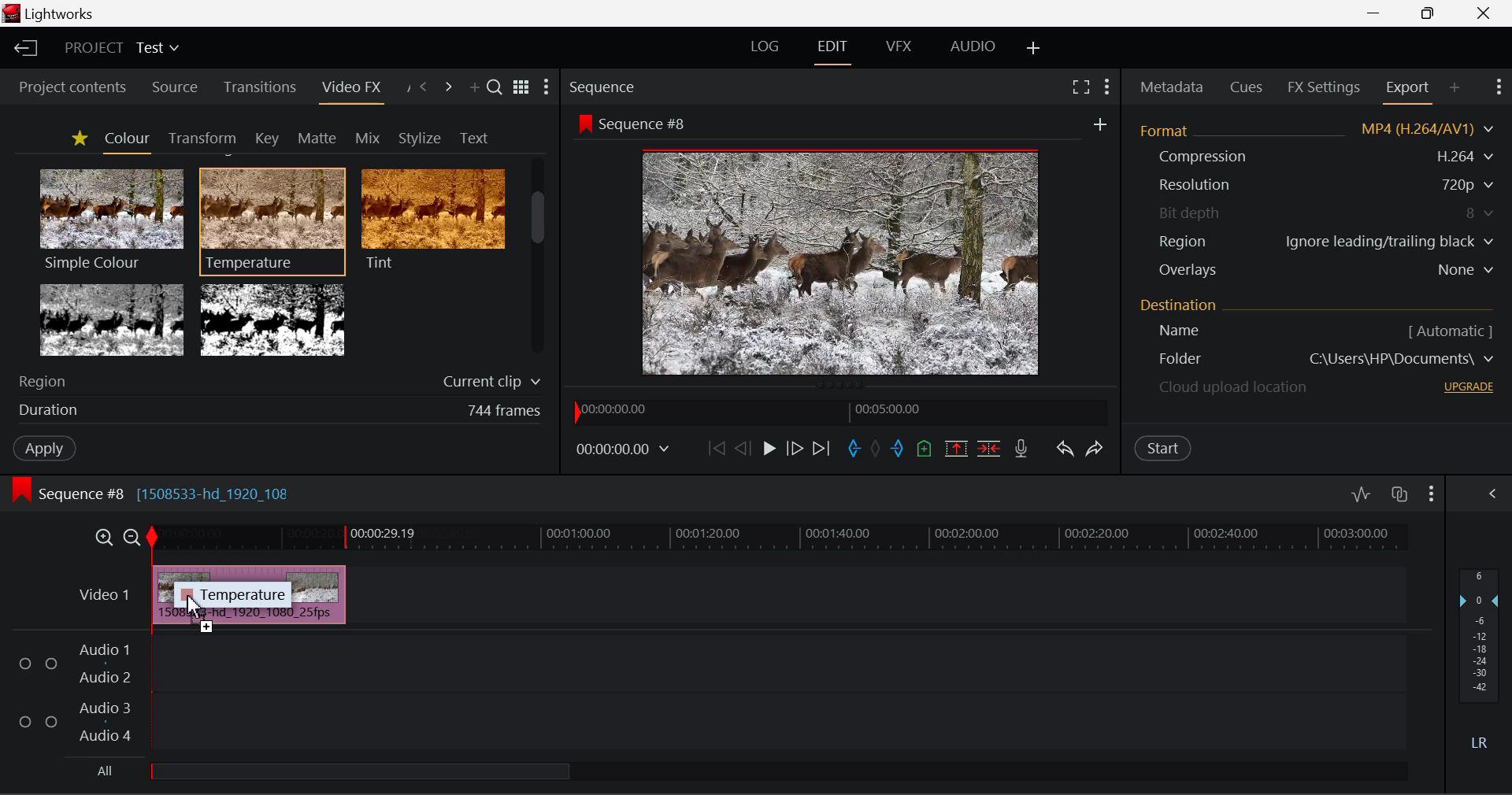  What do you see at coordinates (769, 451) in the screenshot?
I see `Play` at bounding box center [769, 451].